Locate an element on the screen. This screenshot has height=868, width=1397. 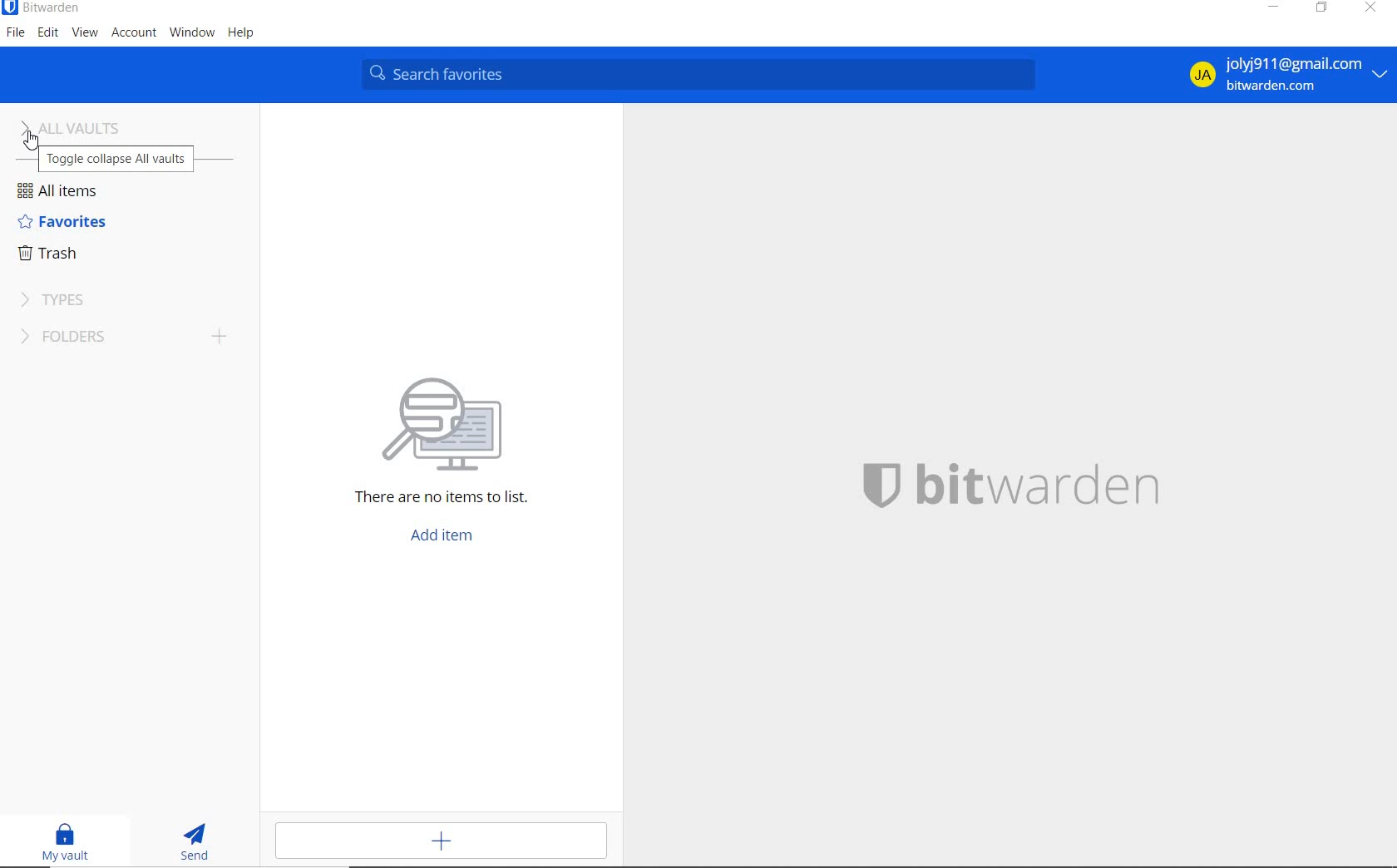
EDIT is located at coordinates (49, 34).